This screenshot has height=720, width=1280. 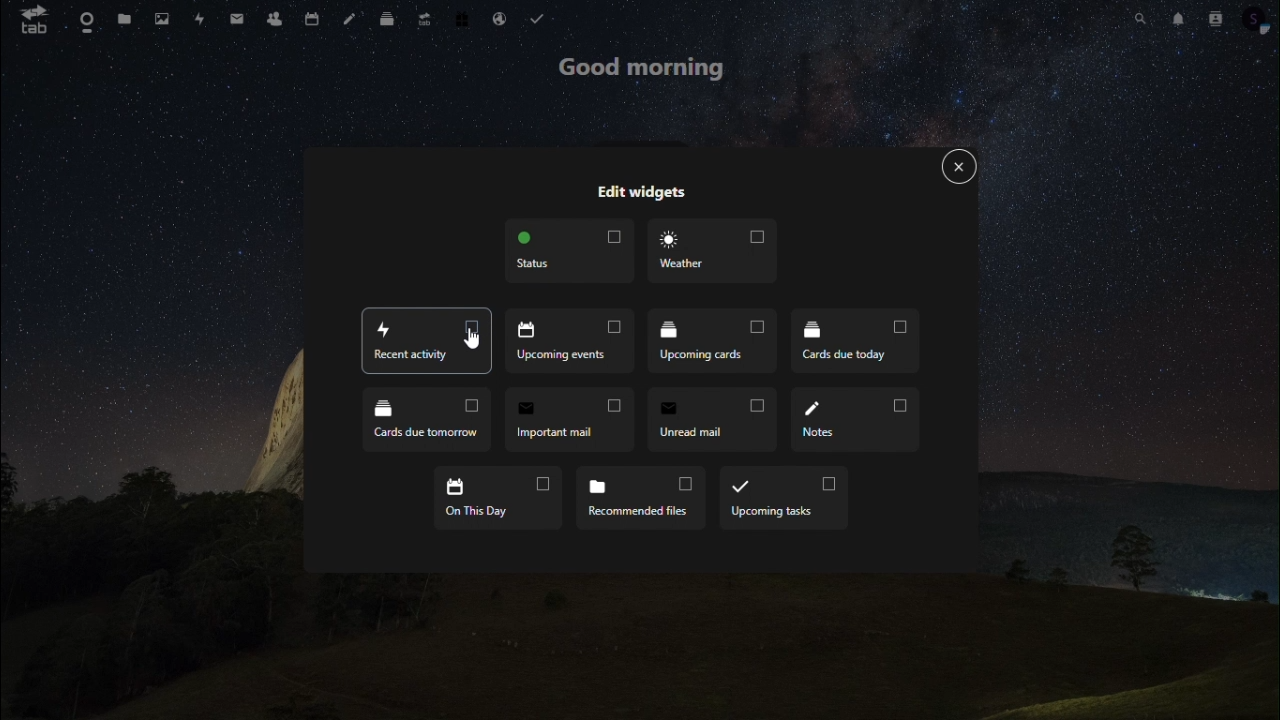 What do you see at coordinates (313, 22) in the screenshot?
I see `calendar` at bounding box center [313, 22].